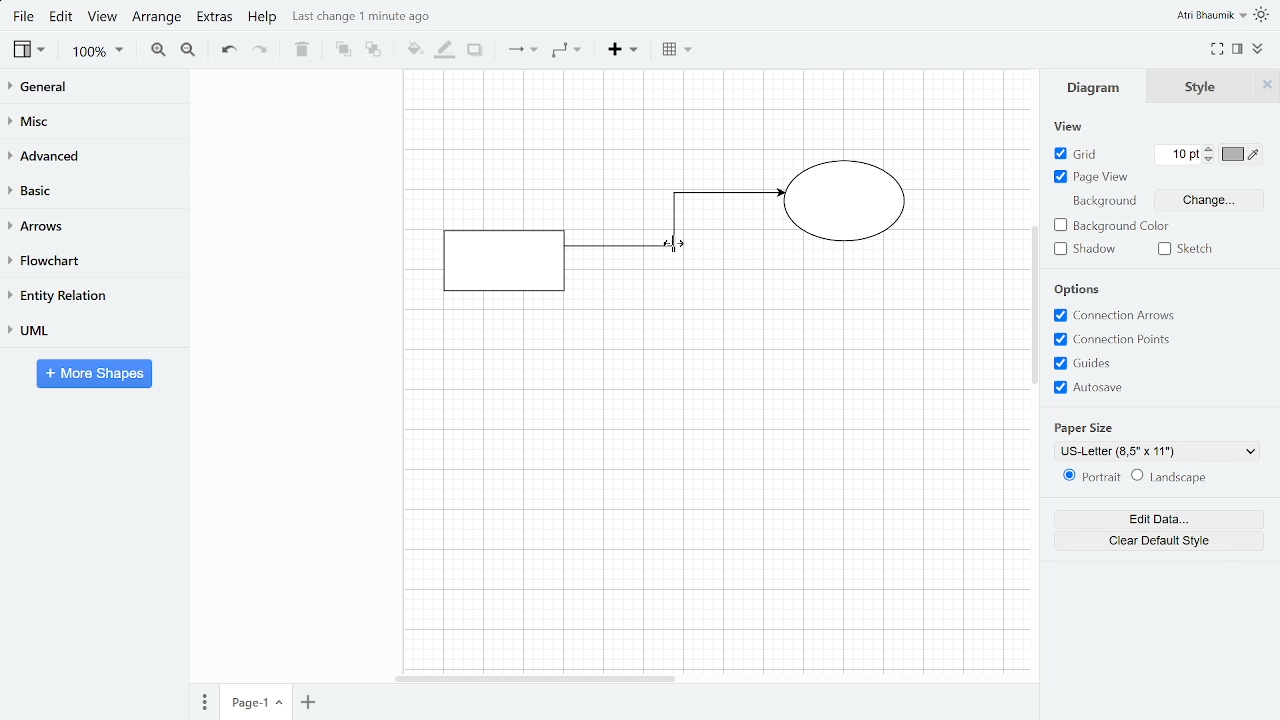  Describe the element at coordinates (566, 51) in the screenshot. I see `Waypoints` at that location.